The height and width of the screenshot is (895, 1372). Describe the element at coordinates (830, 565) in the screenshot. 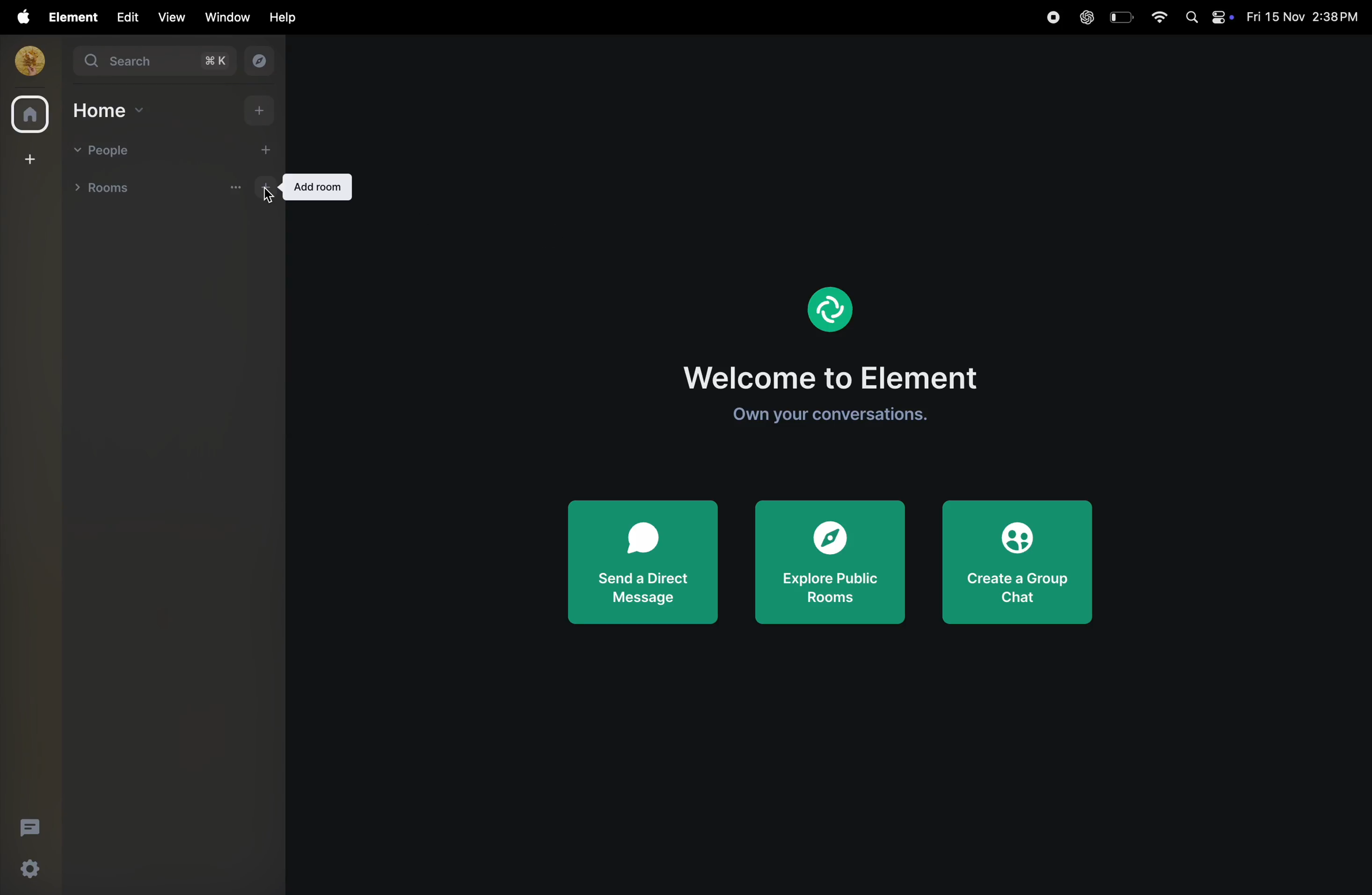

I see `explore public room` at that location.